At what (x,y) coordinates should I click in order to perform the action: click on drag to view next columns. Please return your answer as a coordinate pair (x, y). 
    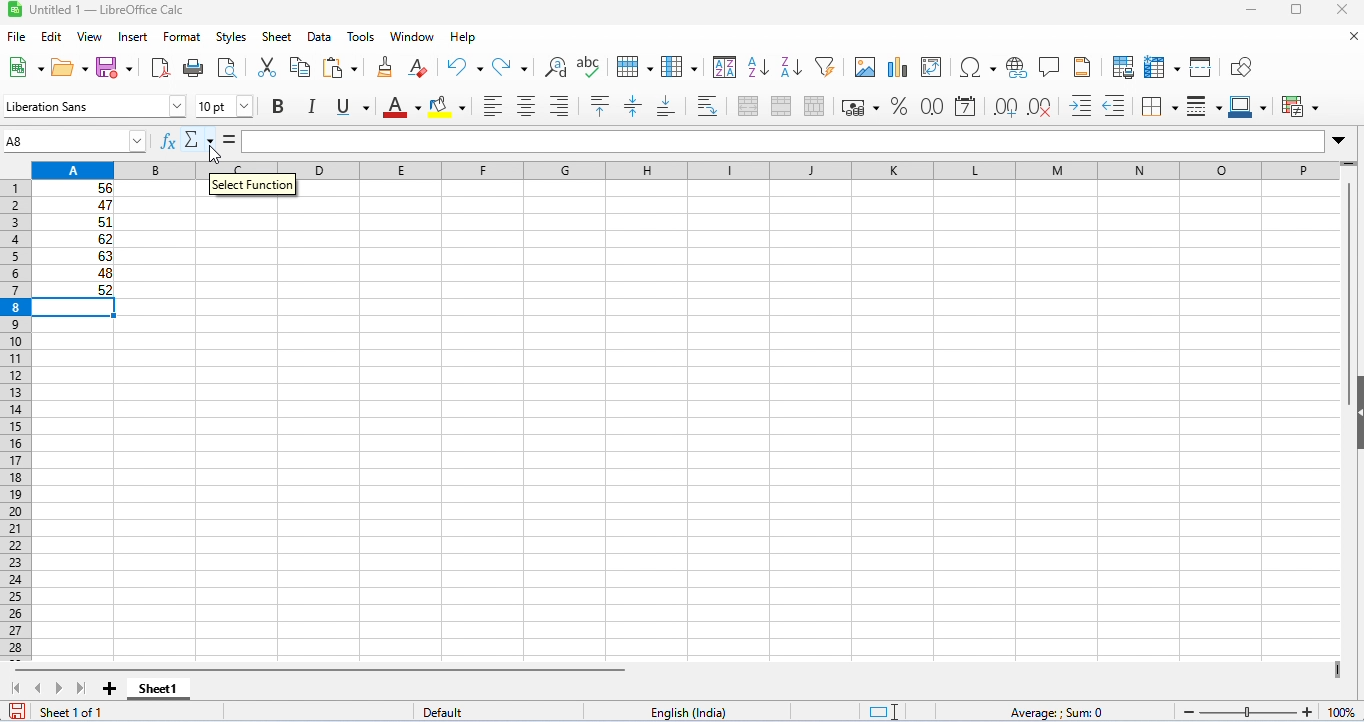
    Looking at the image, I should click on (1341, 671).